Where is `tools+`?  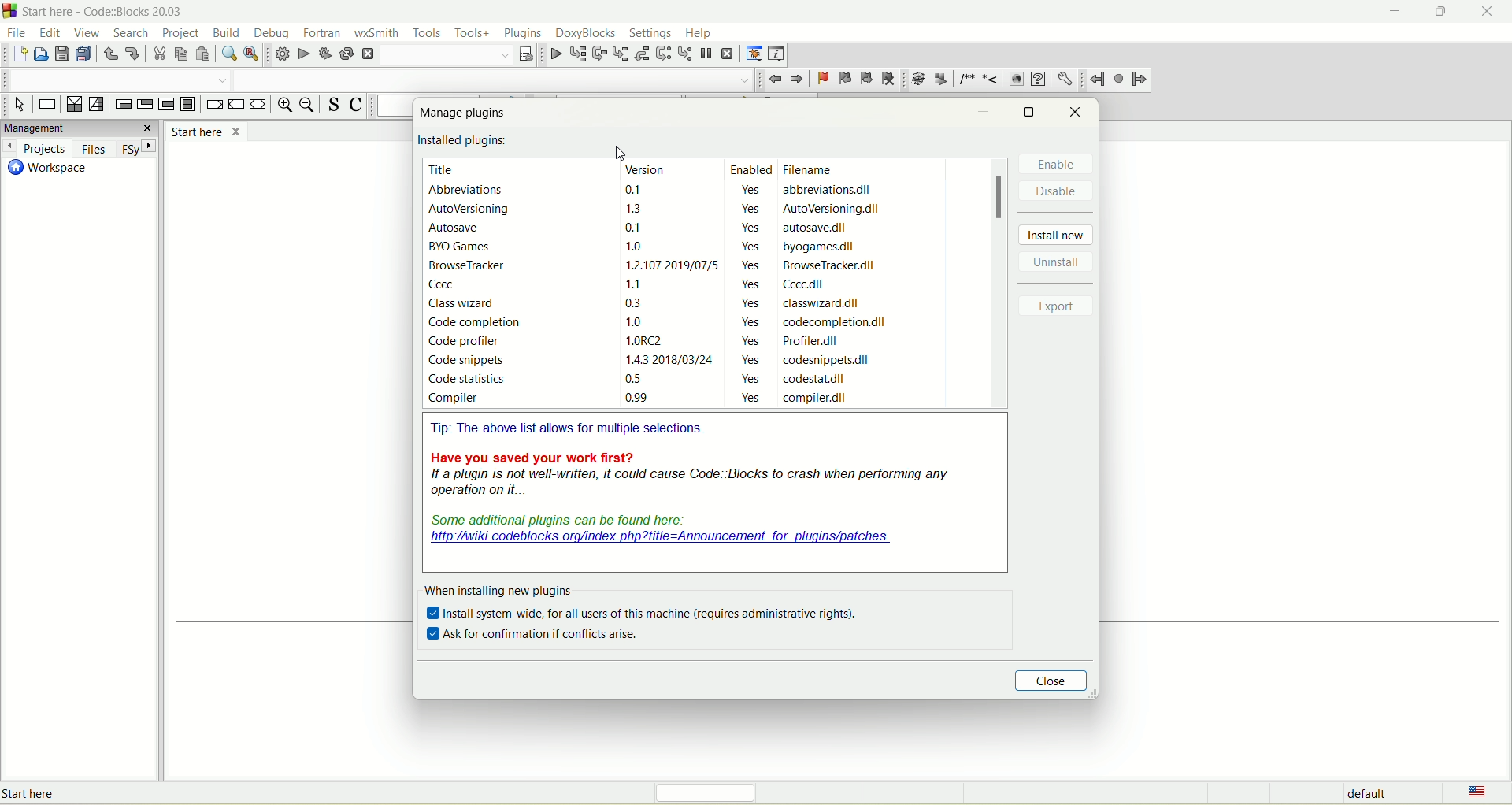 tools+ is located at coordinates (474, 33).